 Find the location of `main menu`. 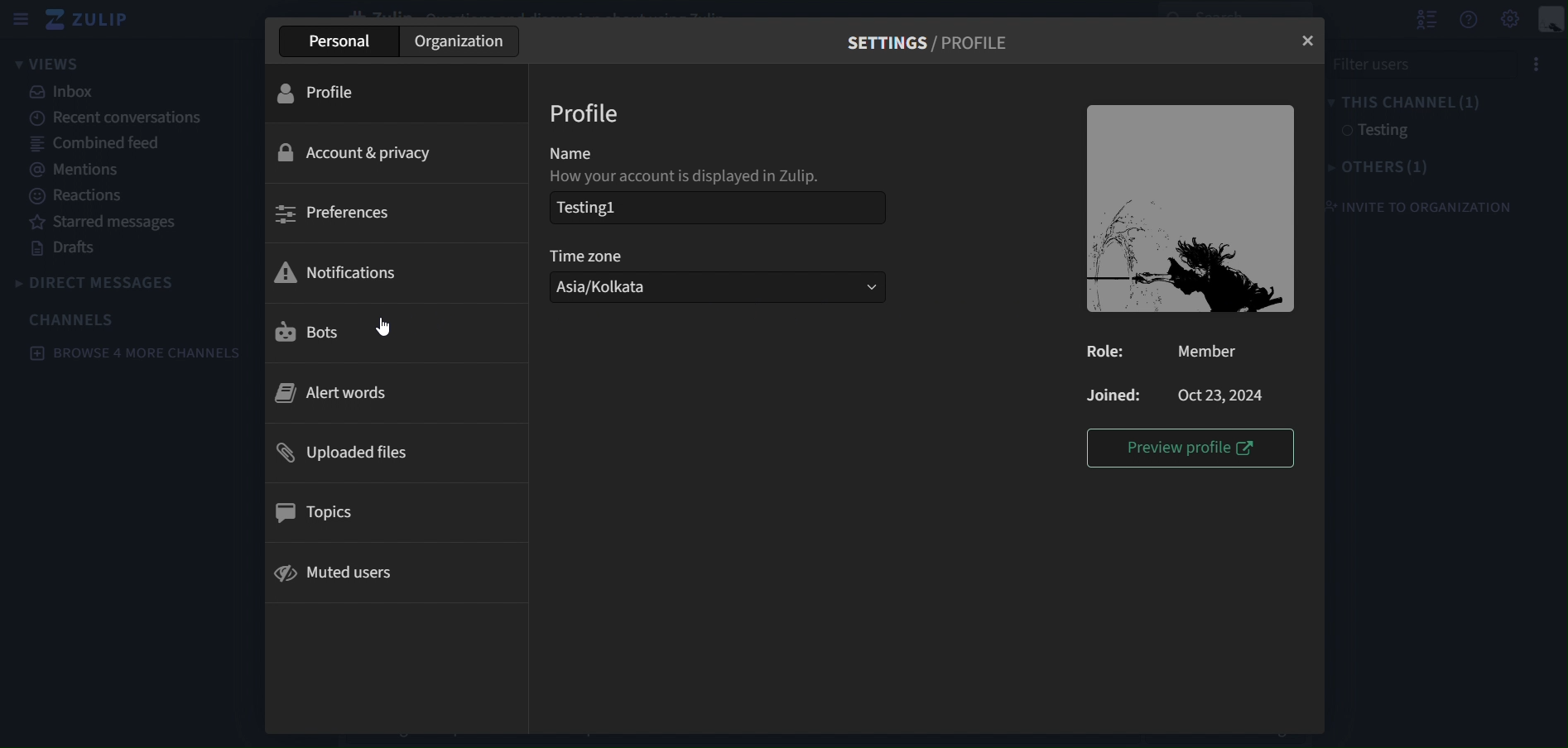

main menu is located at coordinates (1509, 19).